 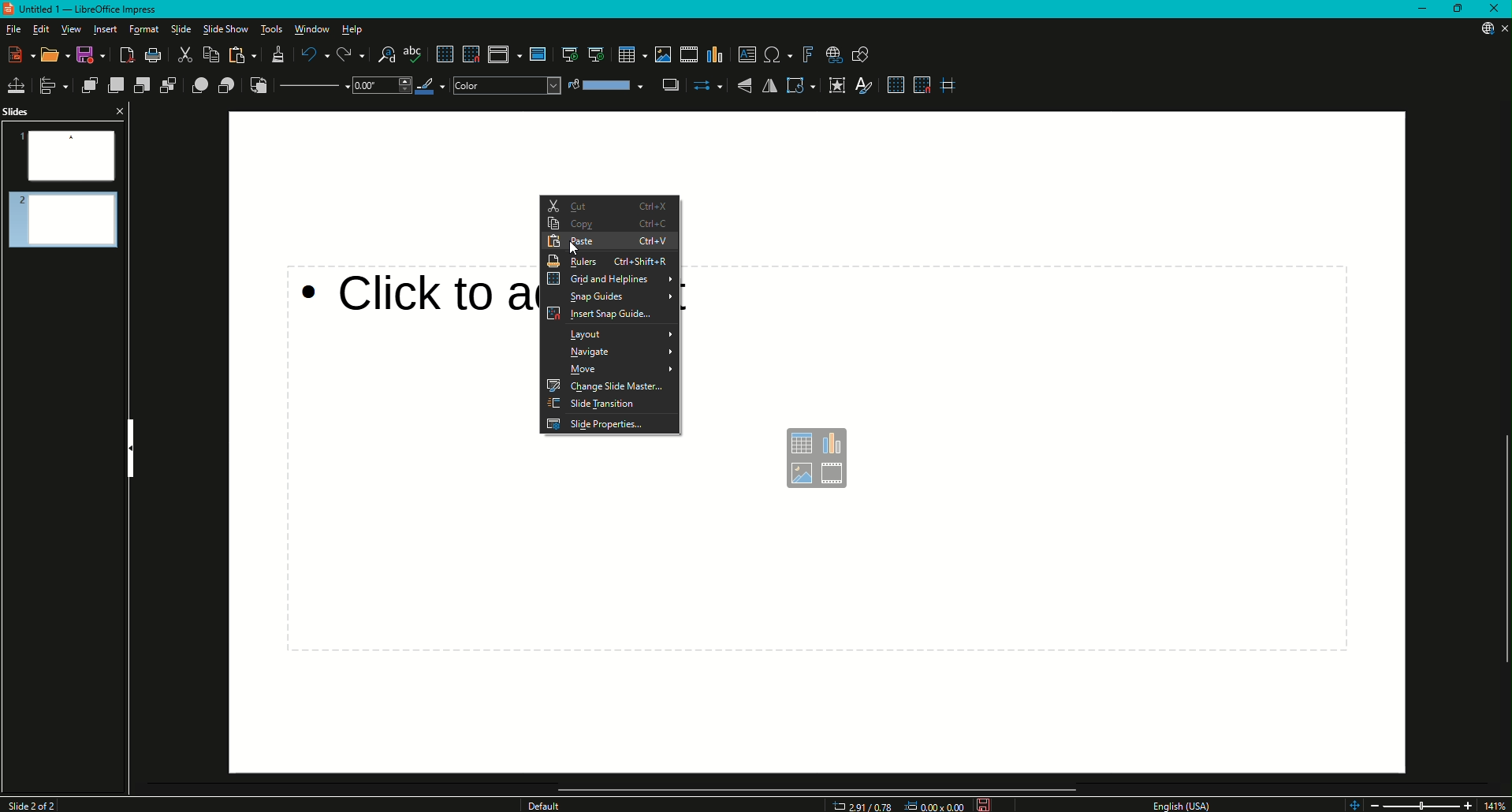 I want to click on Format, so click(x=143, y=29).